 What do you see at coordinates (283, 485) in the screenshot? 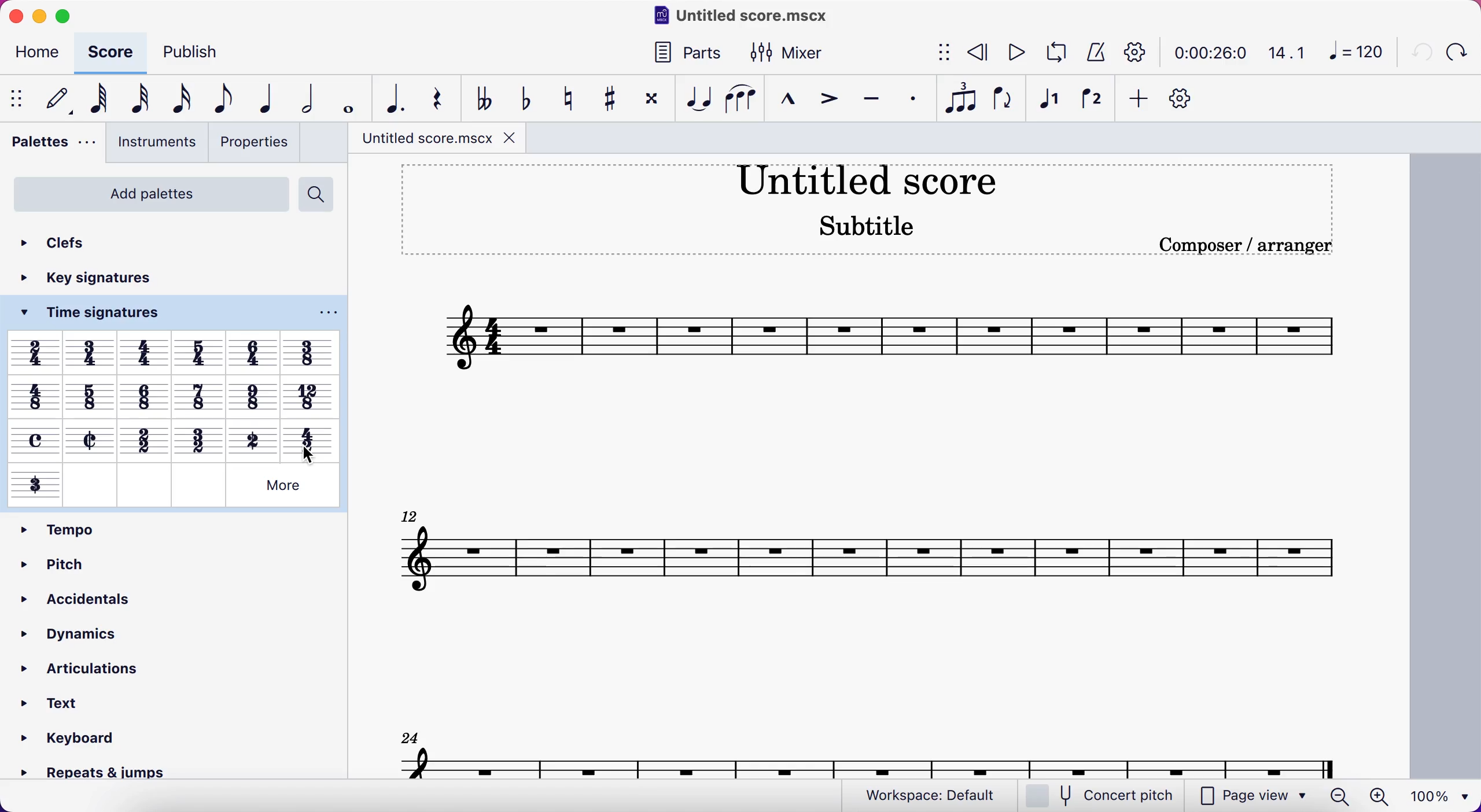
I see `` at bounding box center [283, 485].